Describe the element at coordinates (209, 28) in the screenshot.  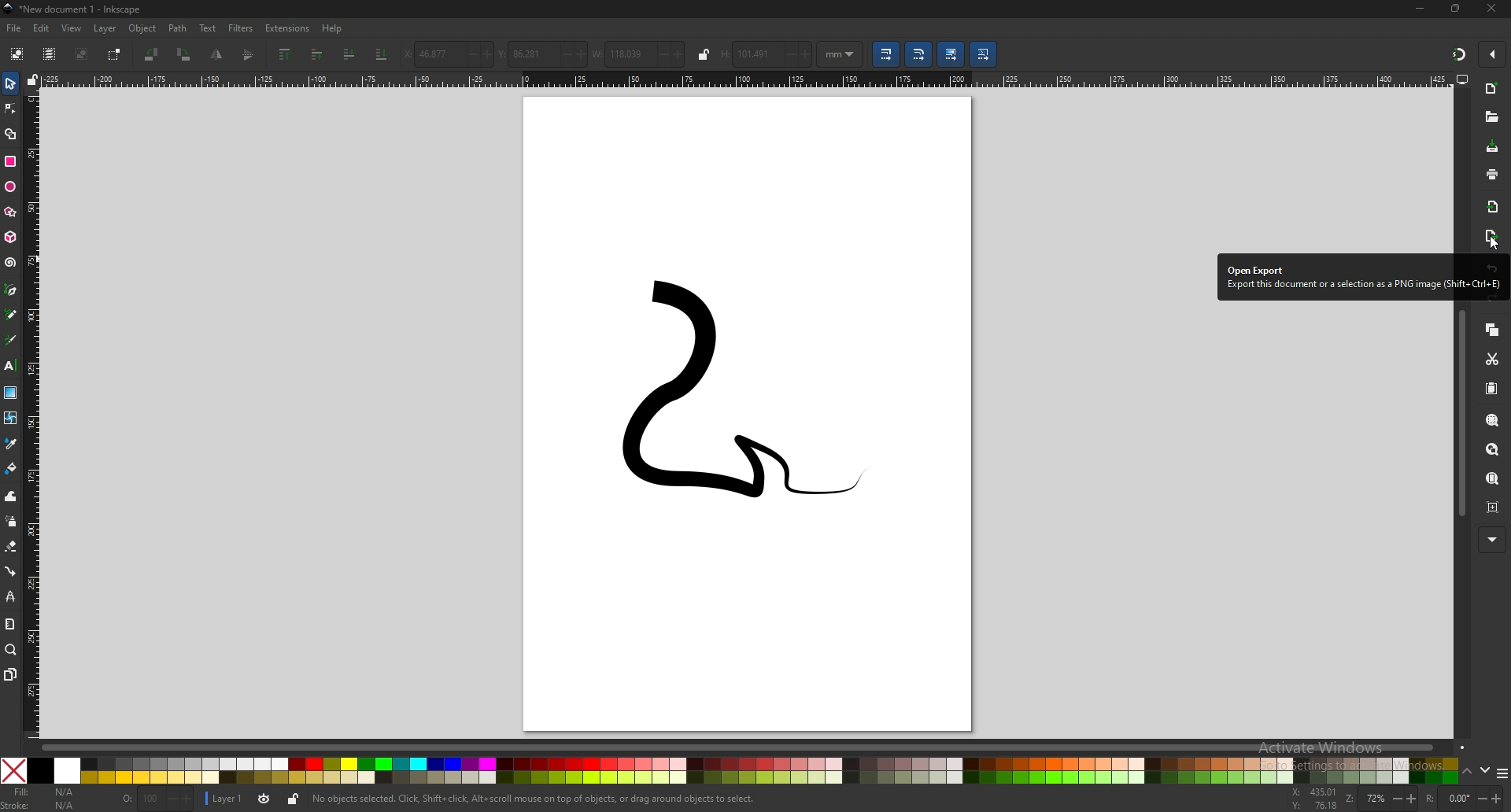
I see `text` at that location.